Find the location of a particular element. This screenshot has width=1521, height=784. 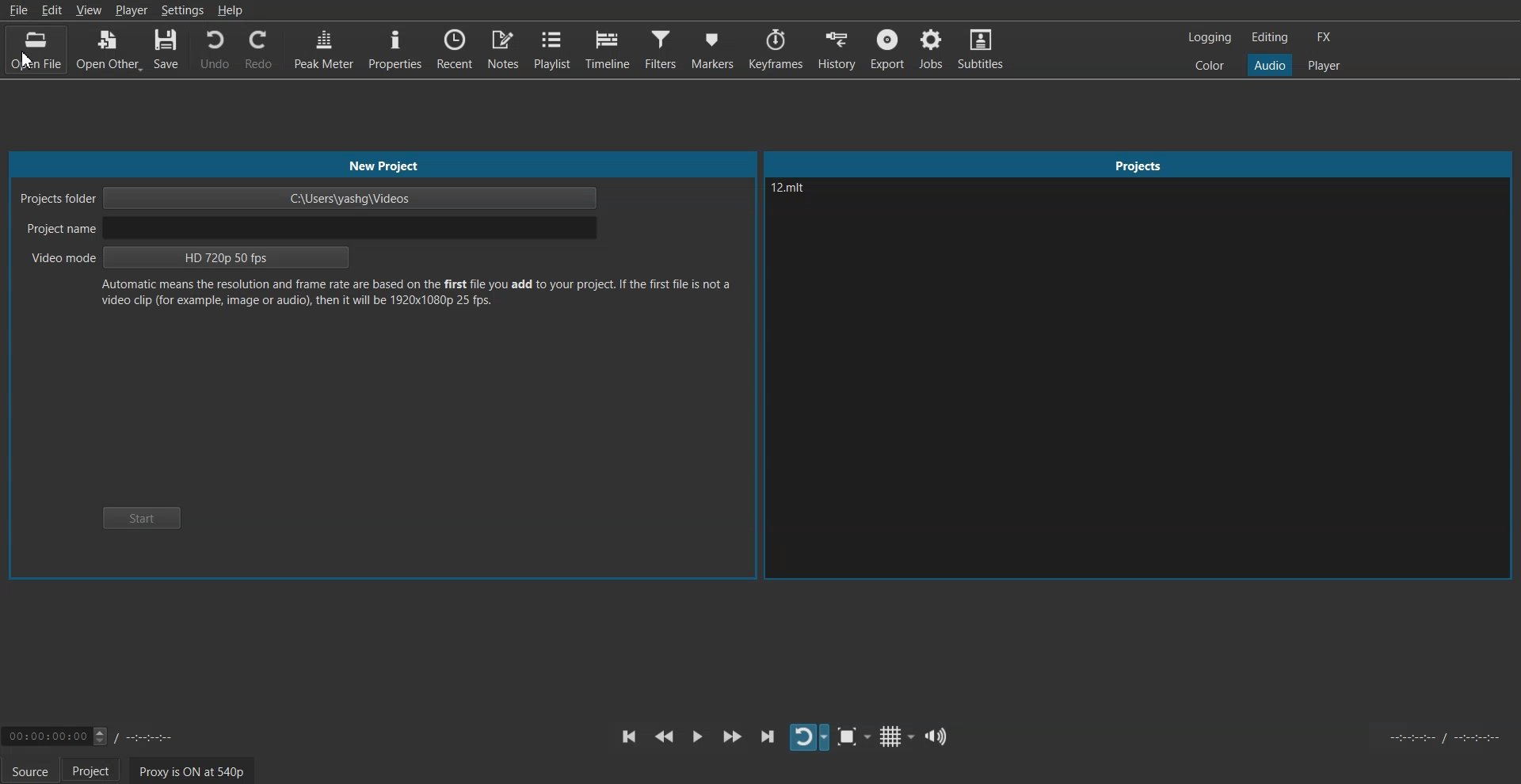

Timeline adjuster is located at coordinates (98, 735).